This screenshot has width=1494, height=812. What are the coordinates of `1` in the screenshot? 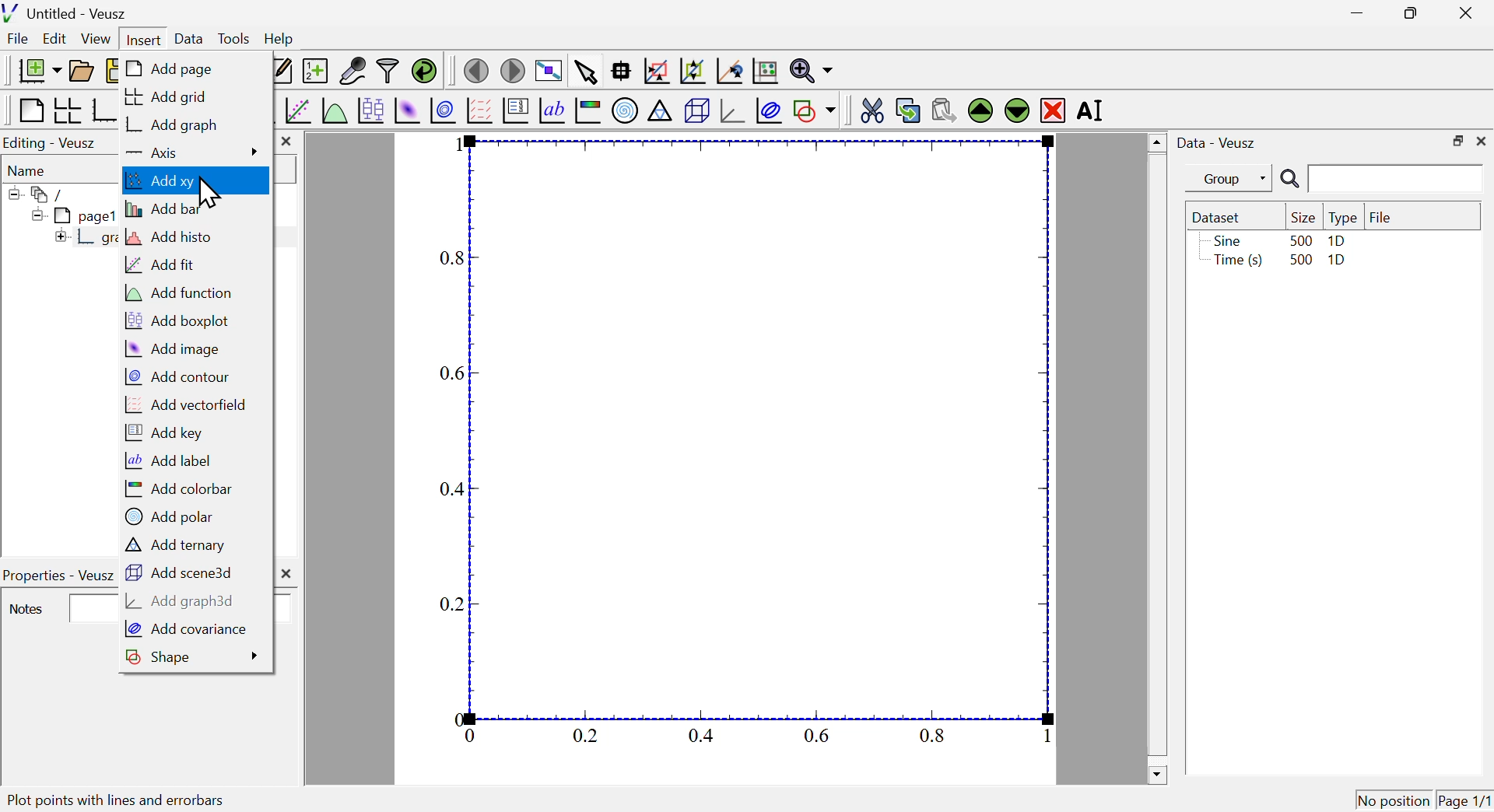 It's located at (451, 145).